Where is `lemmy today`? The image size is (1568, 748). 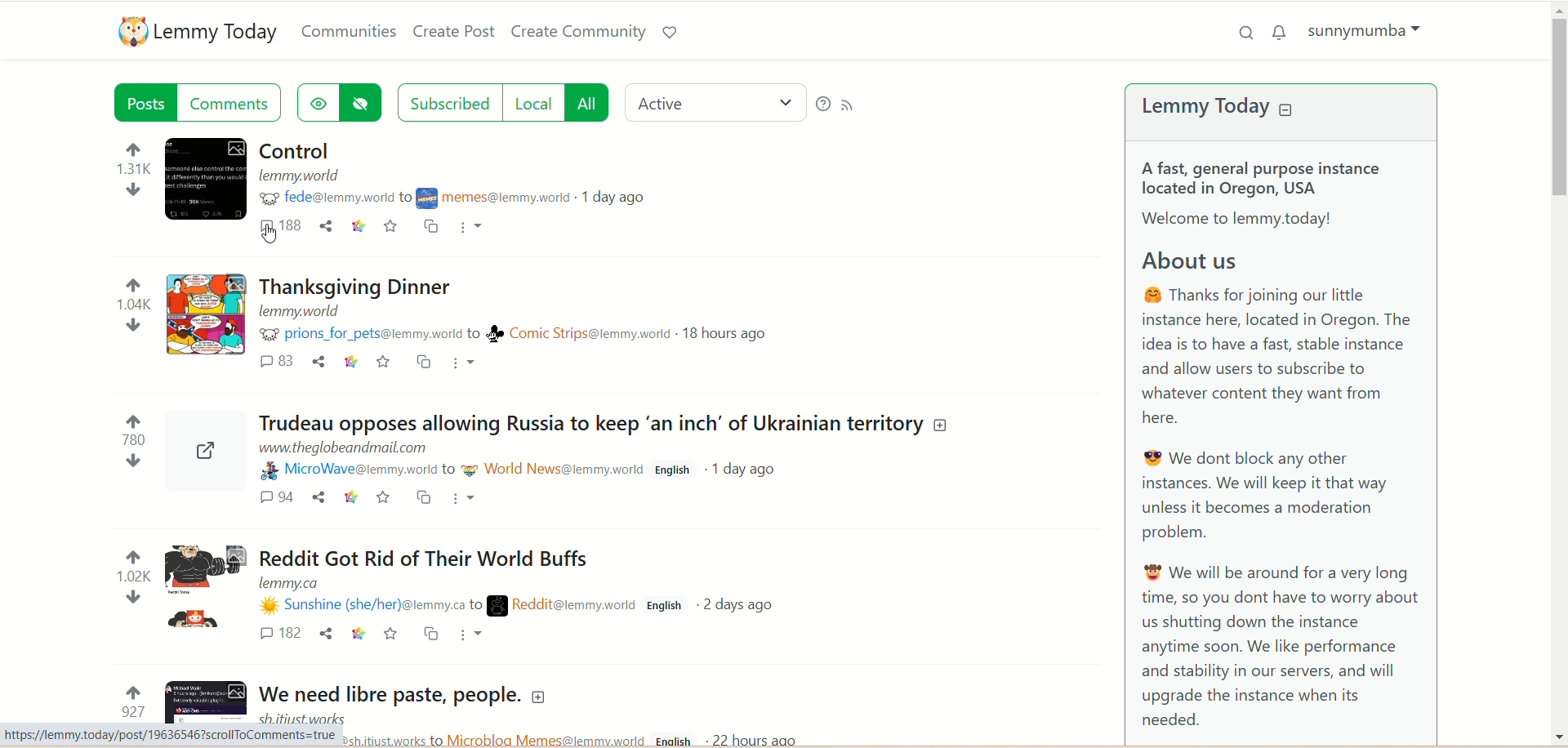
lemmy today is located at coordinates (1237, 108).